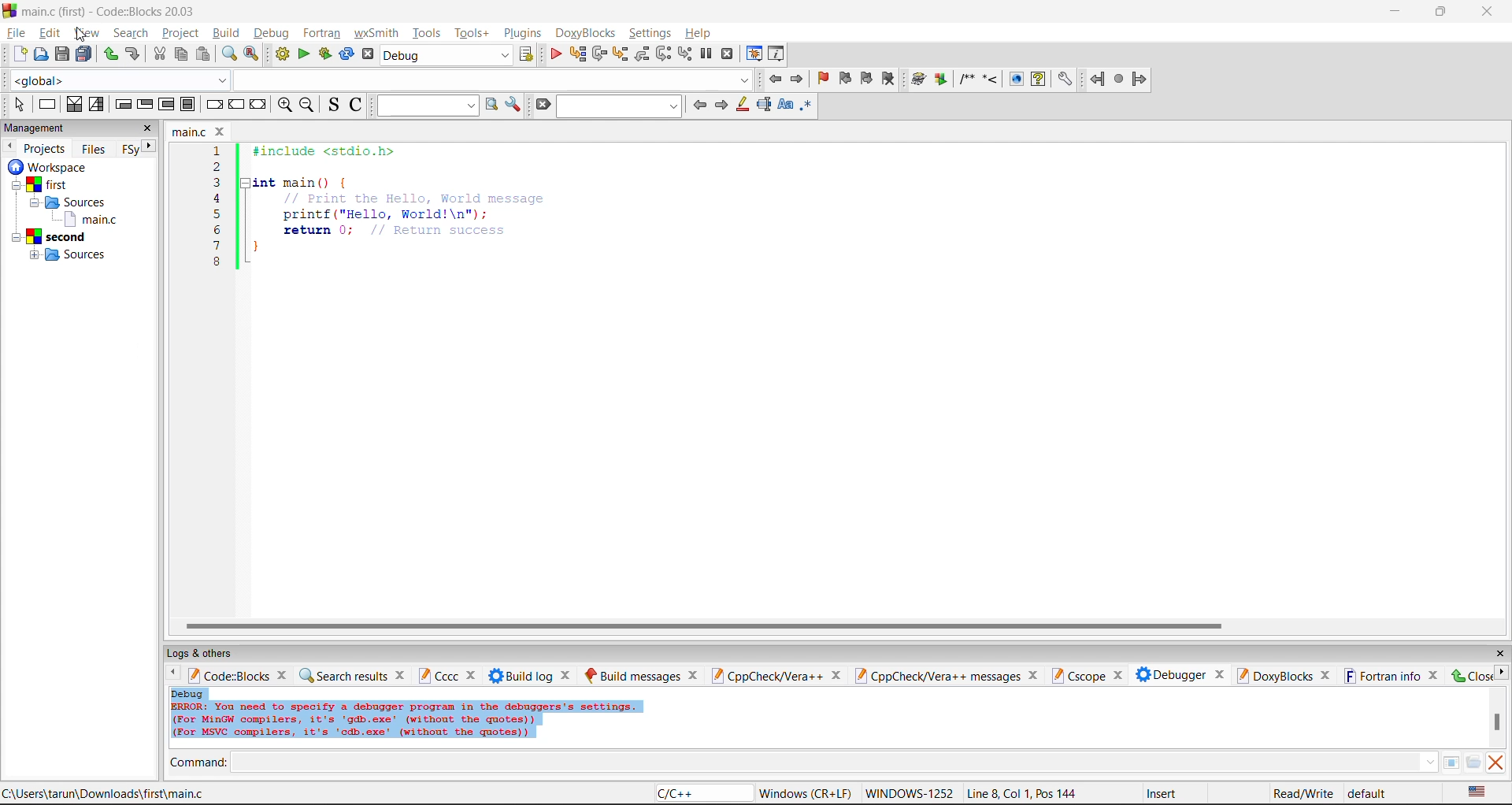 This screenshot has height=805, width=1512. Describe the element at coordinates (348, 55) in the screenshot. I see `rebuild` at that location.